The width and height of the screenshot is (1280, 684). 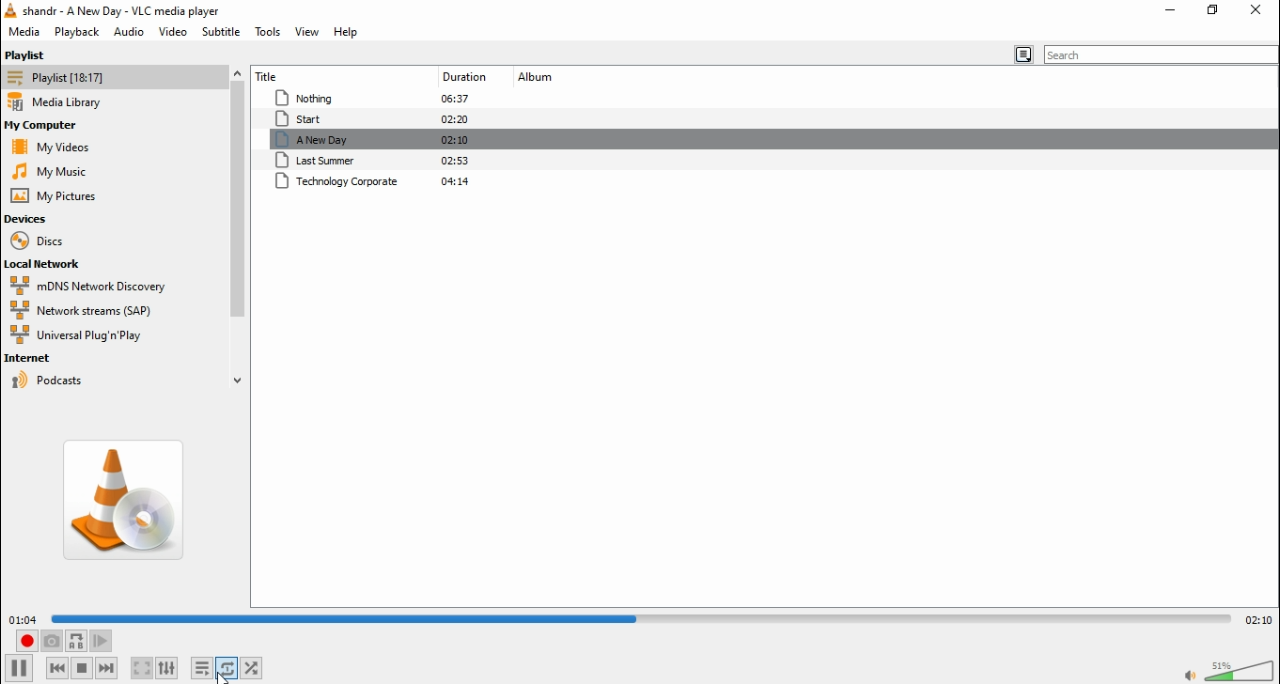 I want to click on playlist, so click(x=61, y=77).